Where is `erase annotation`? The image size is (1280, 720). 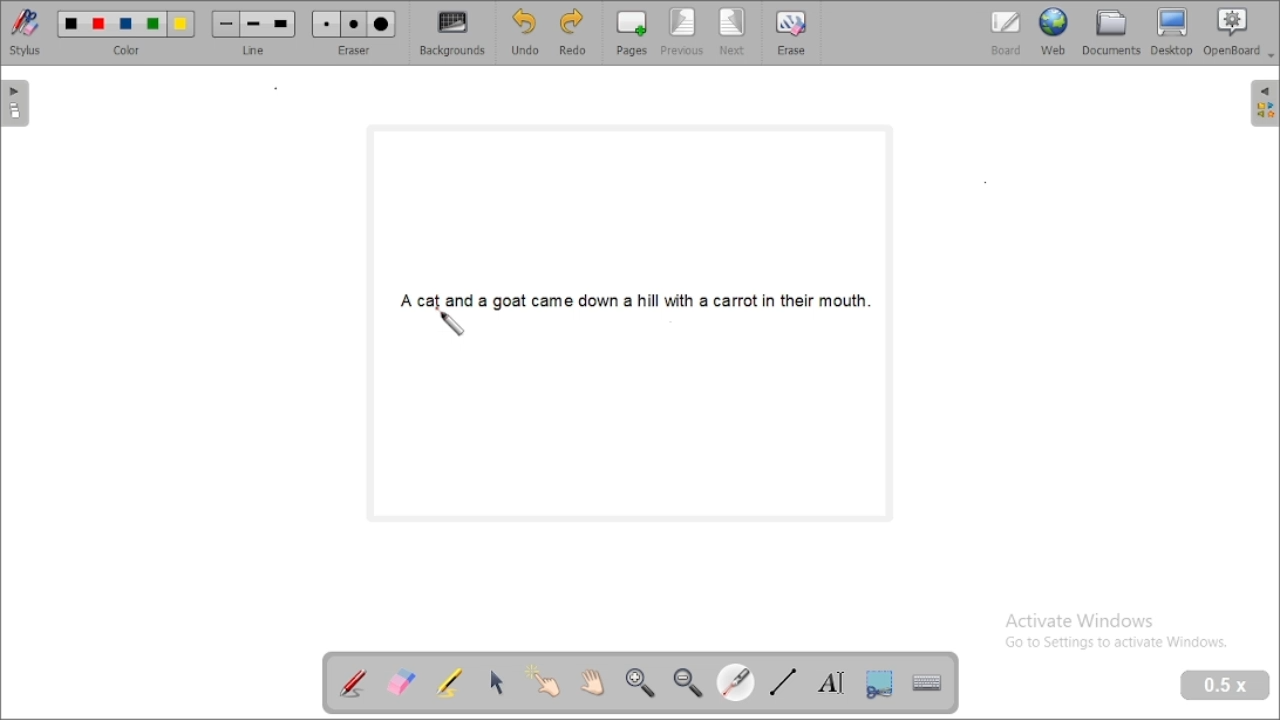 erase annotation is located at coordinates (402, 682).